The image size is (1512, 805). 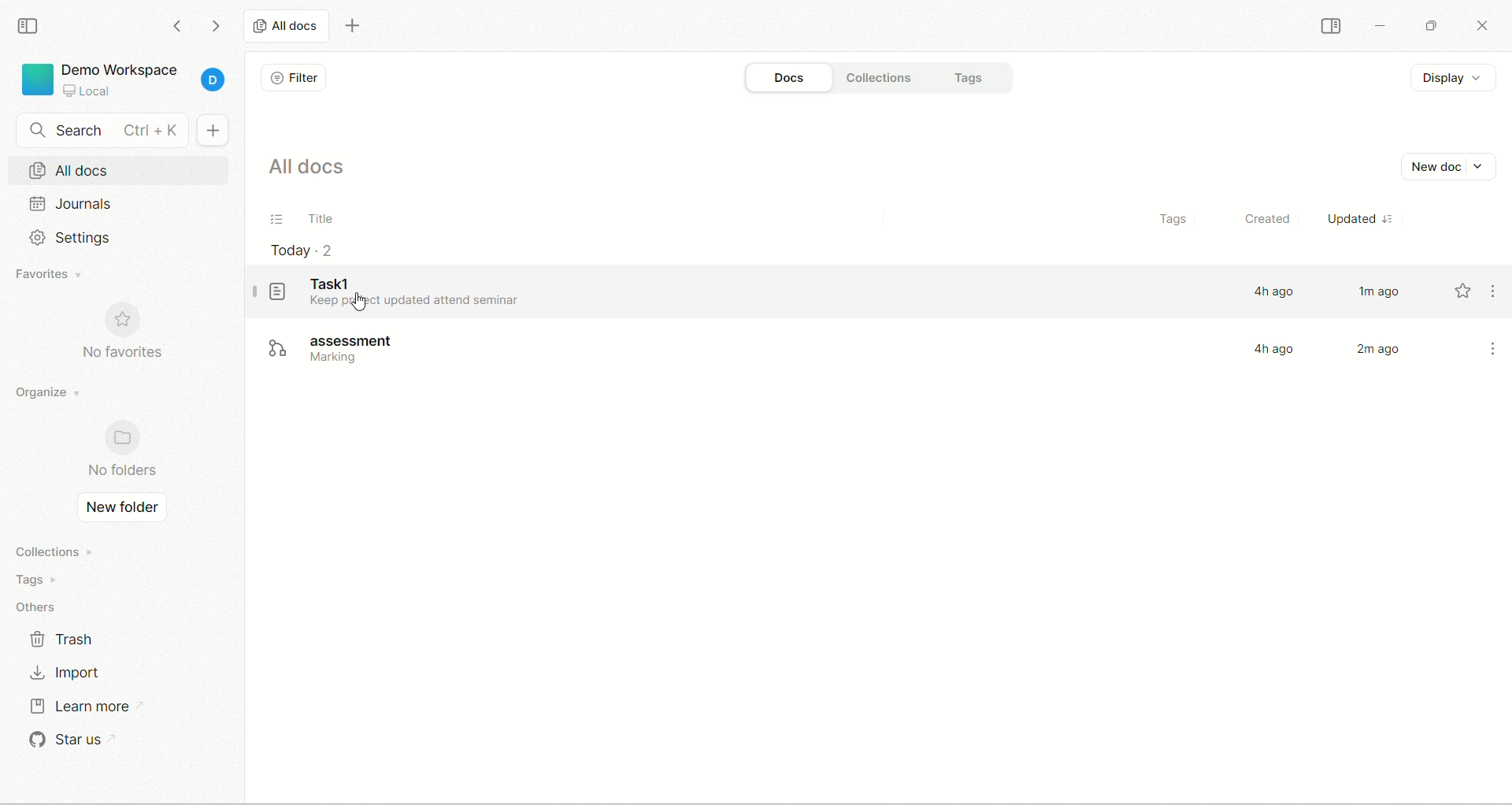 What do you see at coordinates (1371, 346) in the screenshot?
I see `2 m ago` at bounding box center [1371, 346].